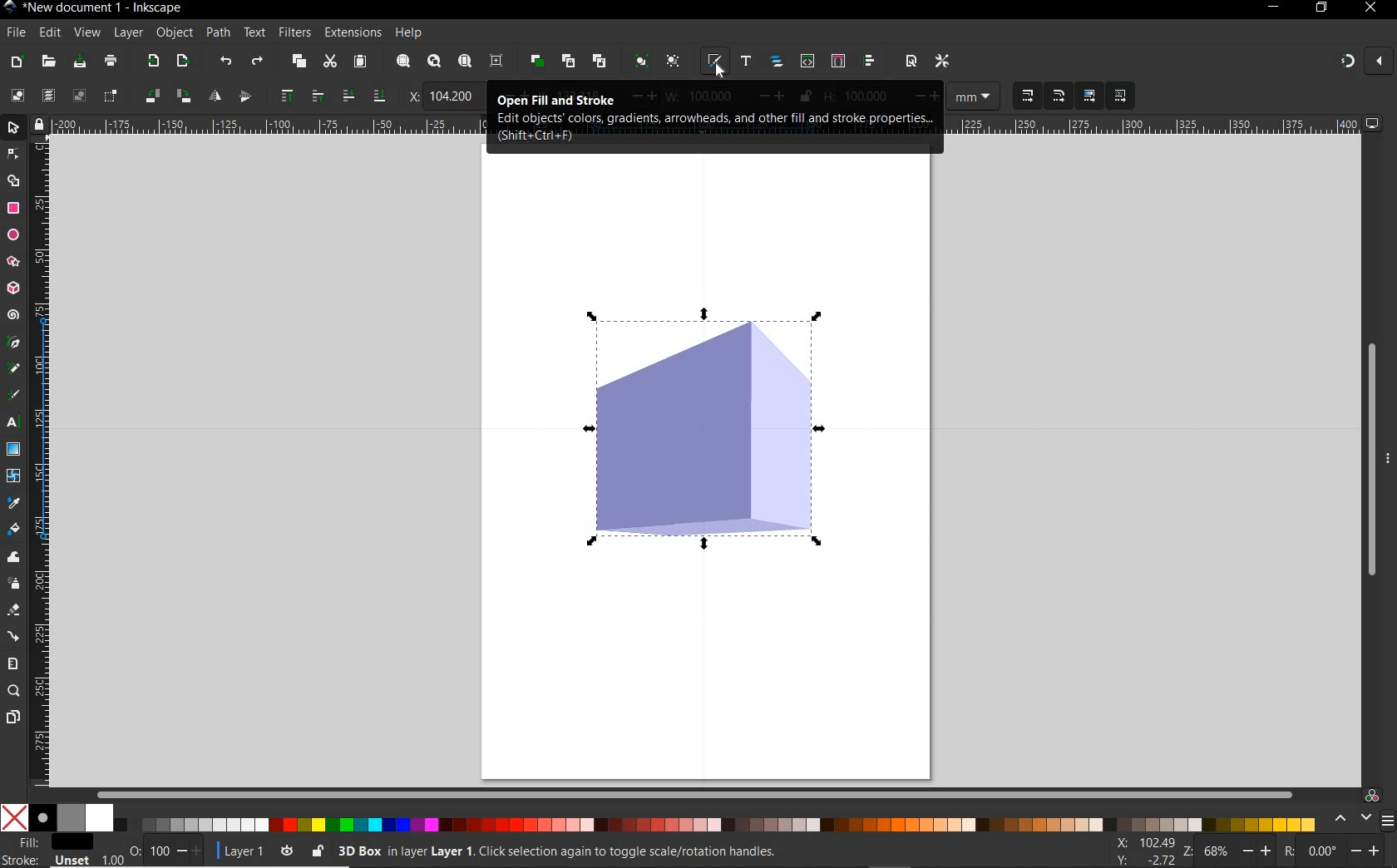 This screenshot has height=868, width=1397. Describe the element at coordinates (176, 33) in the screenshot. I see `OBJECT` at that location.